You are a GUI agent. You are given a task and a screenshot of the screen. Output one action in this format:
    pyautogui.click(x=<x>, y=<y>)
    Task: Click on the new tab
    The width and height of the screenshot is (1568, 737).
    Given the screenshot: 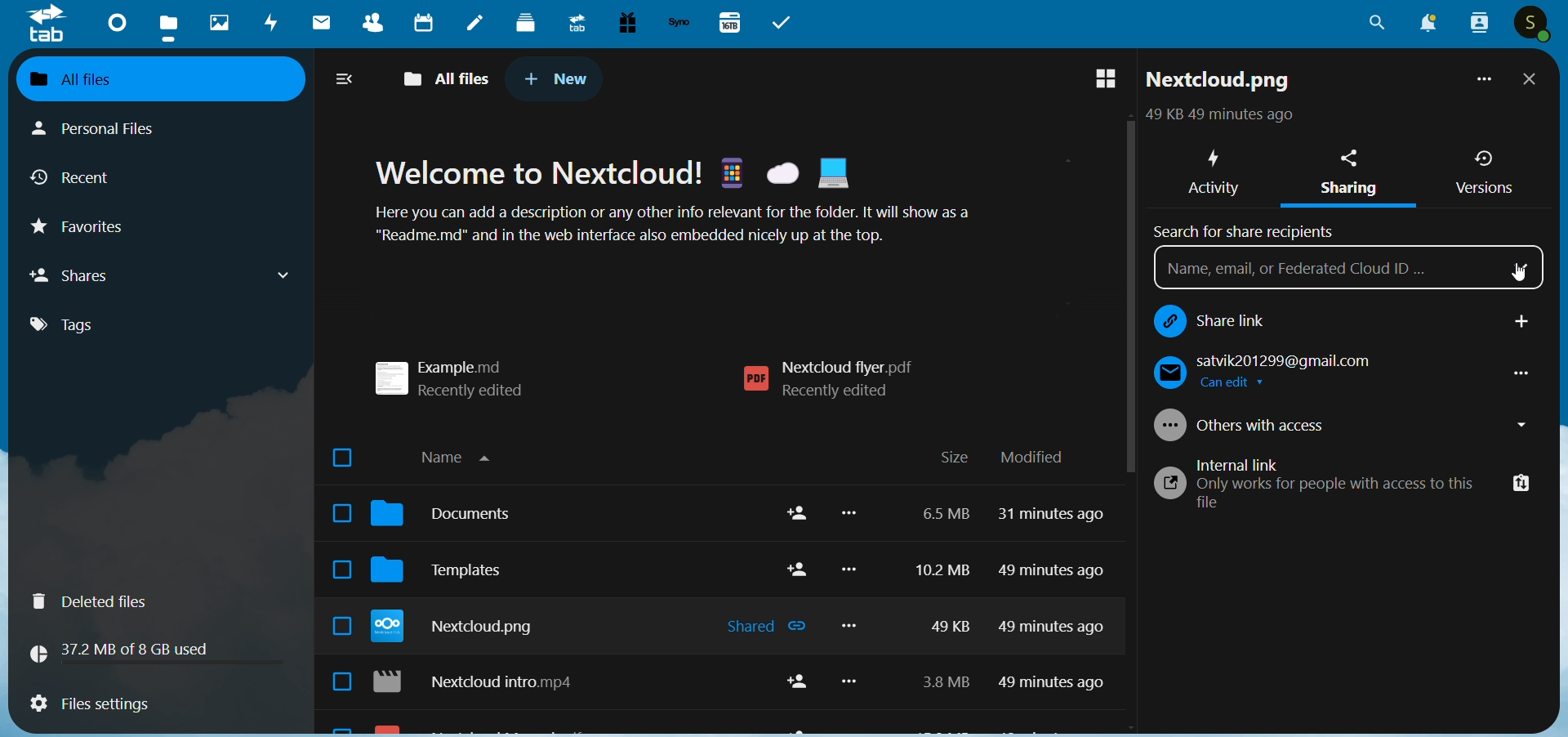 What is the action you would take?
    pyautogui.click(x=557, y=78)
    